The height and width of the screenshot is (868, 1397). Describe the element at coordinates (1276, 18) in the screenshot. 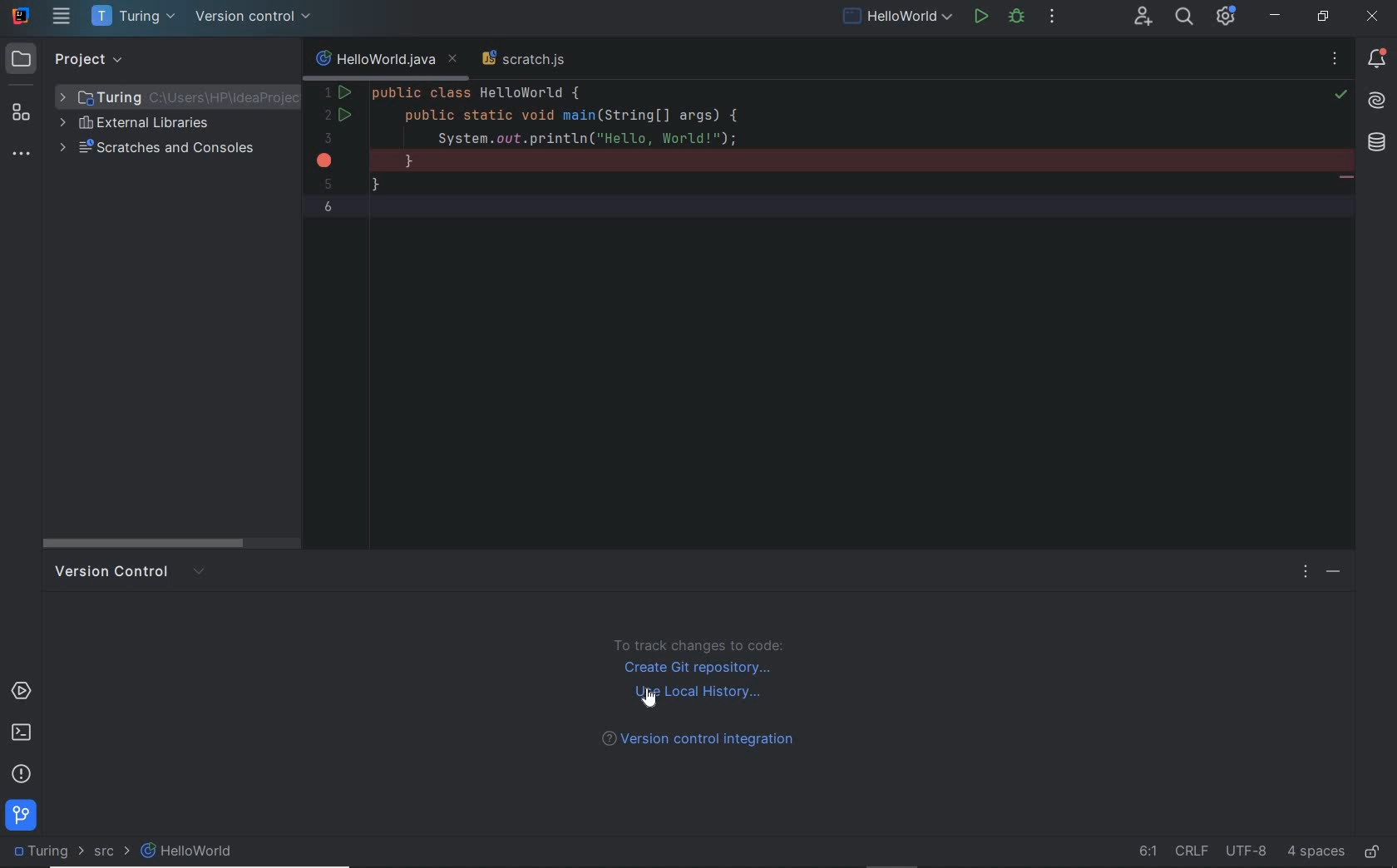

I see `minimize` at that location.